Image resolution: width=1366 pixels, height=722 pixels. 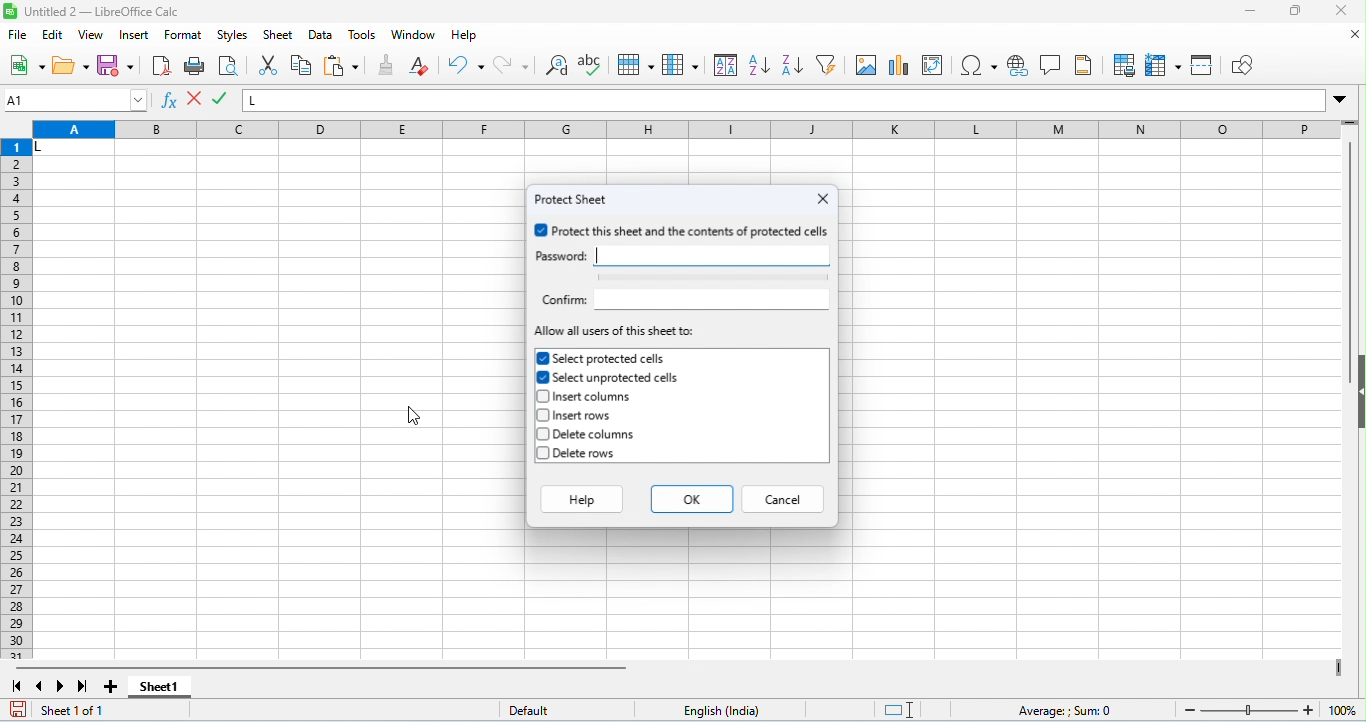 I want to click on header and footer, so click(x=1083, y=65).